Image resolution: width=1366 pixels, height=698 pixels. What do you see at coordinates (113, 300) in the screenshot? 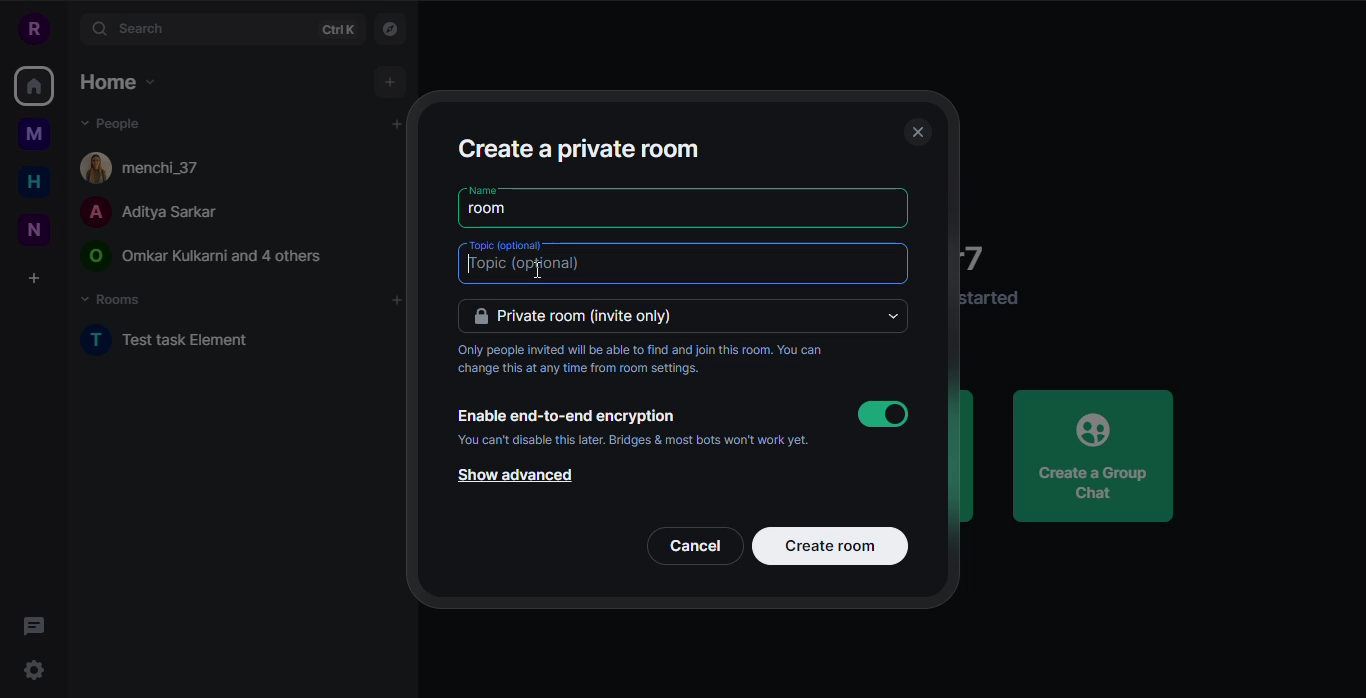
I see `rooms` at bounding box center [113, 300].